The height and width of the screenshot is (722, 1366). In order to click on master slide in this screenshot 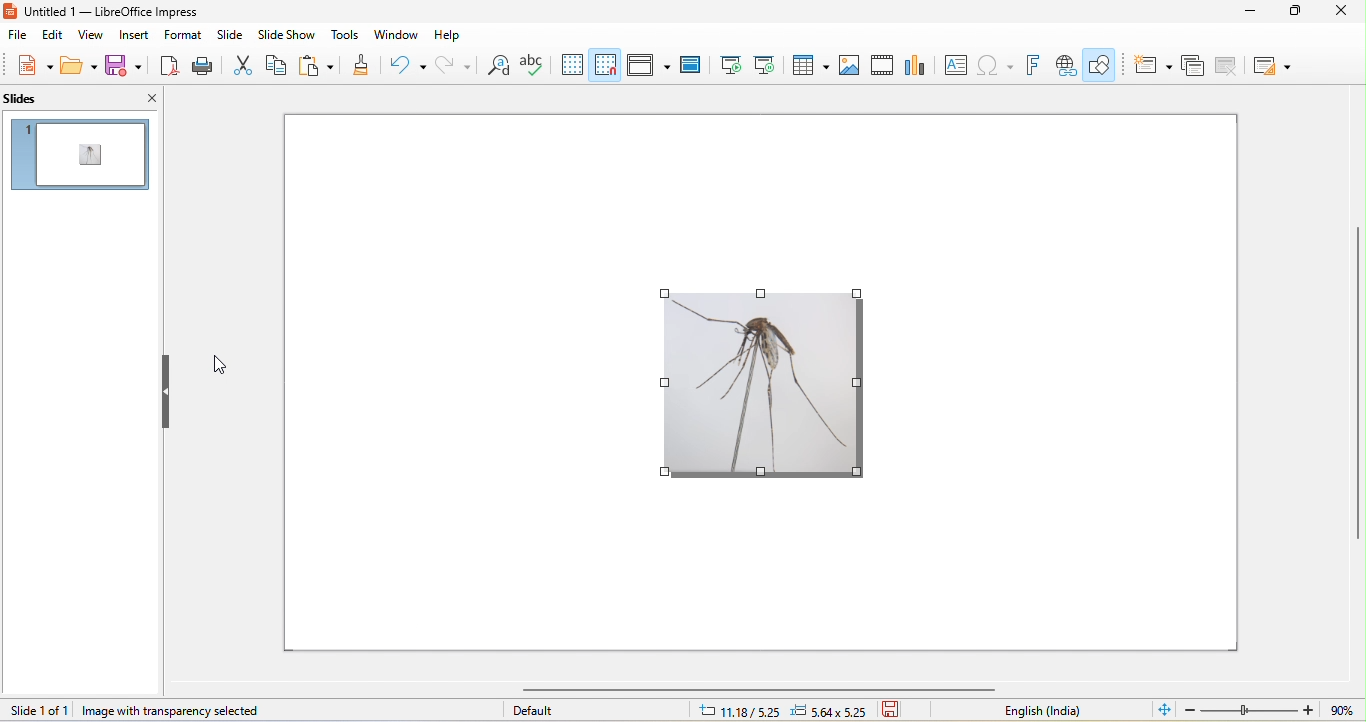, I will do `click(690, 64)`.